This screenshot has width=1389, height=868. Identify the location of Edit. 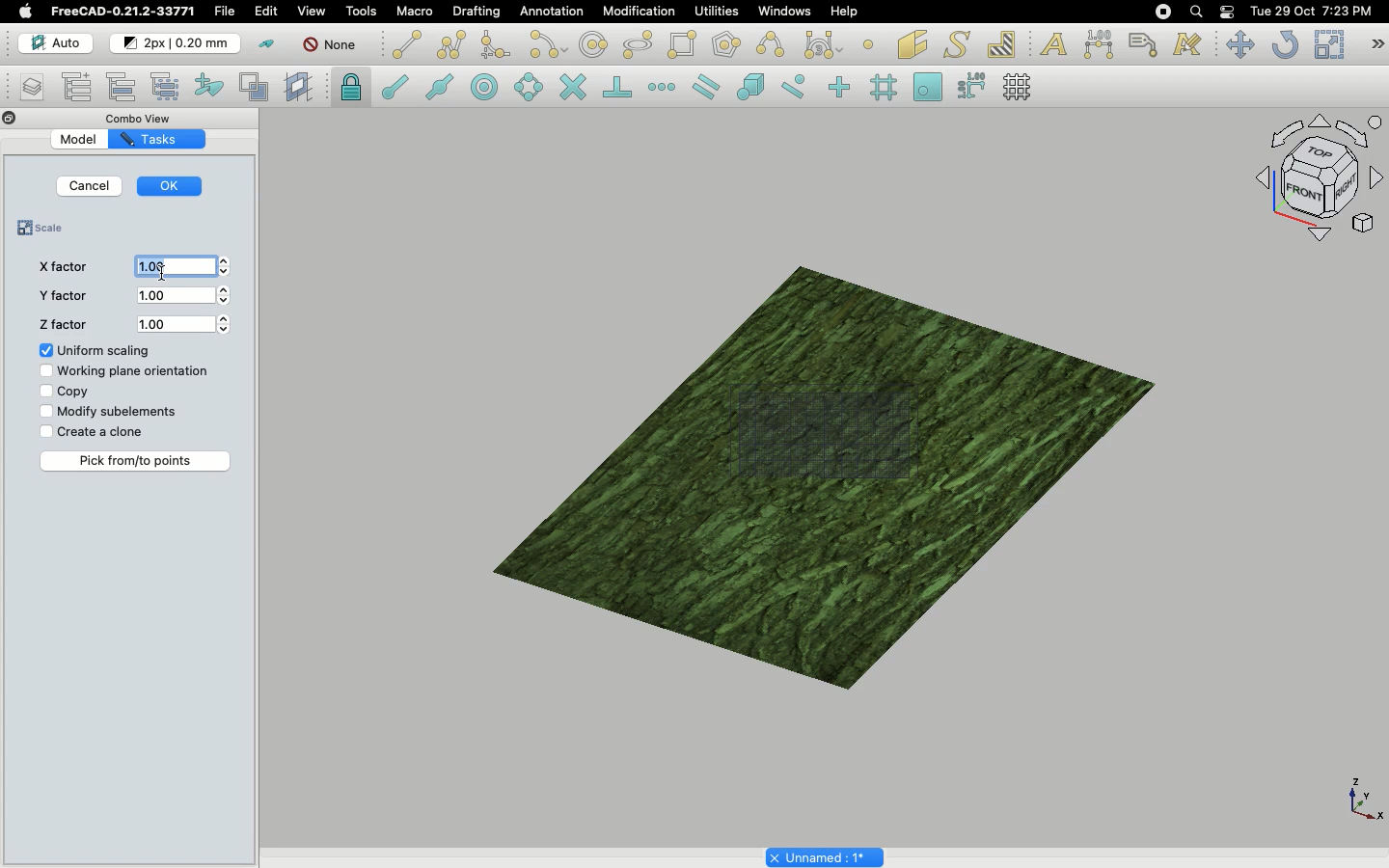
(267, 13).